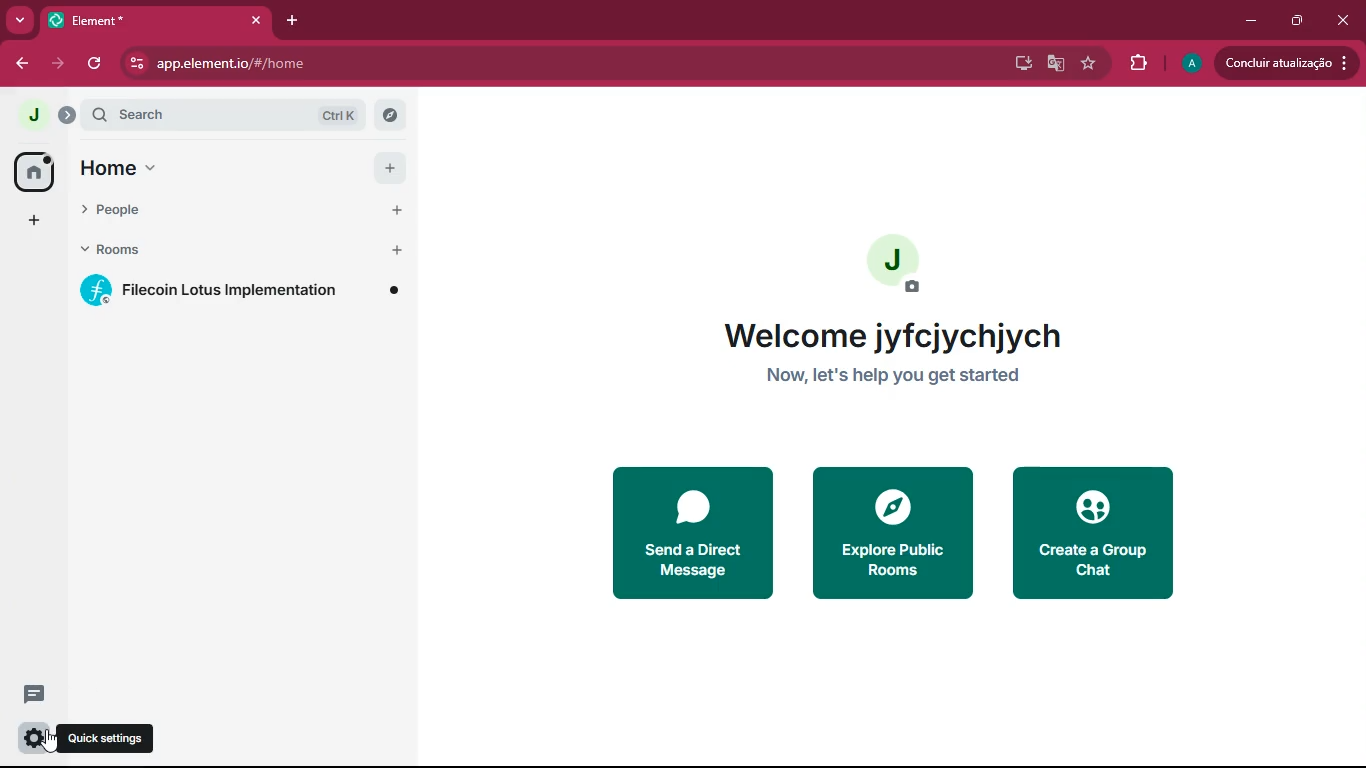 The height and width of the screenshot is (768, 1366). I want to click on desktop, so click(1020, 62).